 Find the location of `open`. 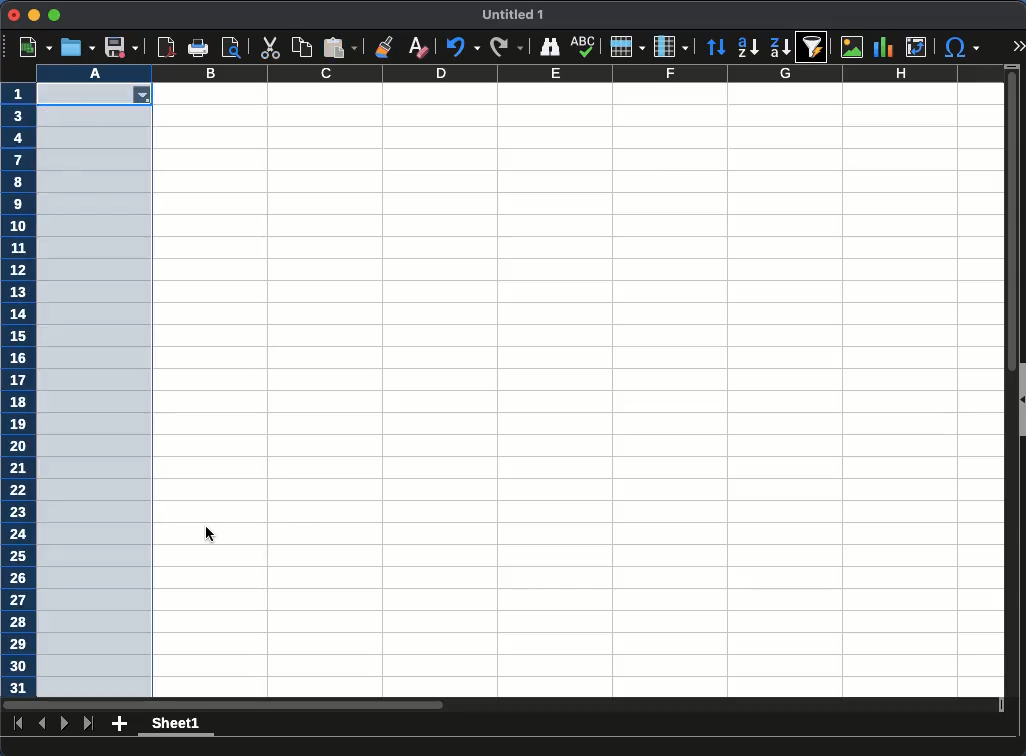

open is located at coordinates (78, 47).